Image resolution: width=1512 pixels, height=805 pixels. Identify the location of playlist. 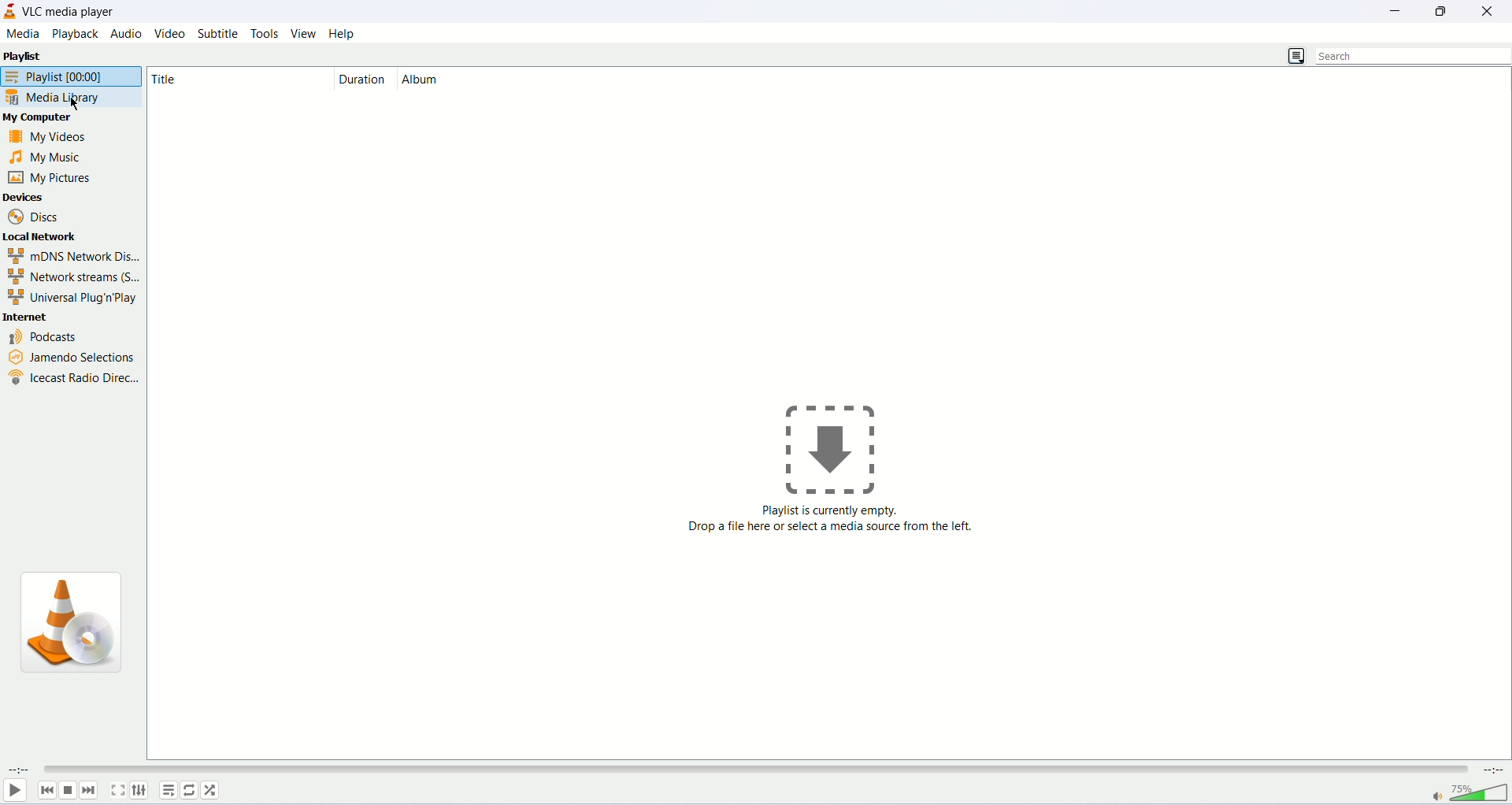
(52, 57).